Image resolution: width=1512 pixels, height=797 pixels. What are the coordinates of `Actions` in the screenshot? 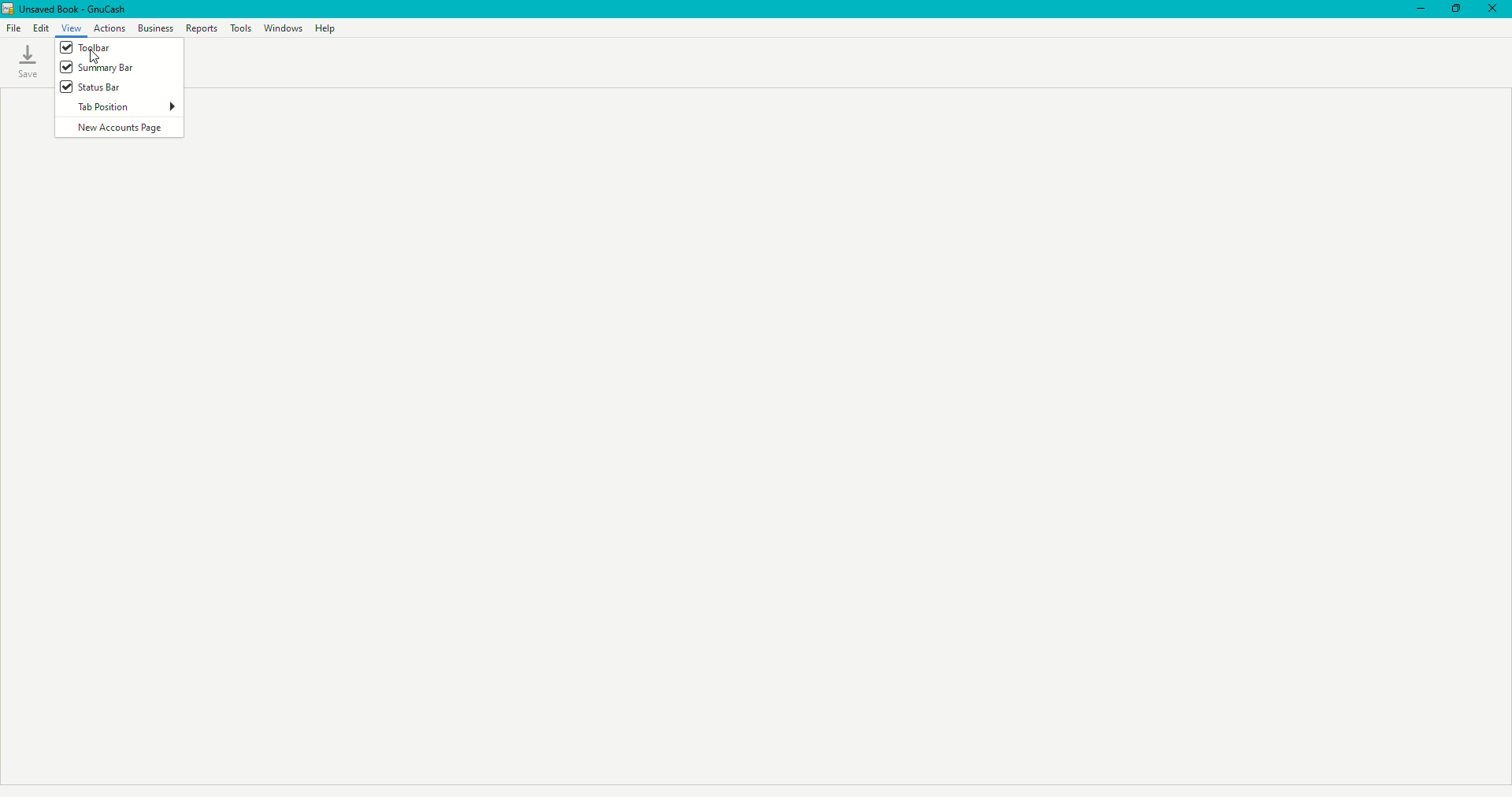 It's located at (109, 28).